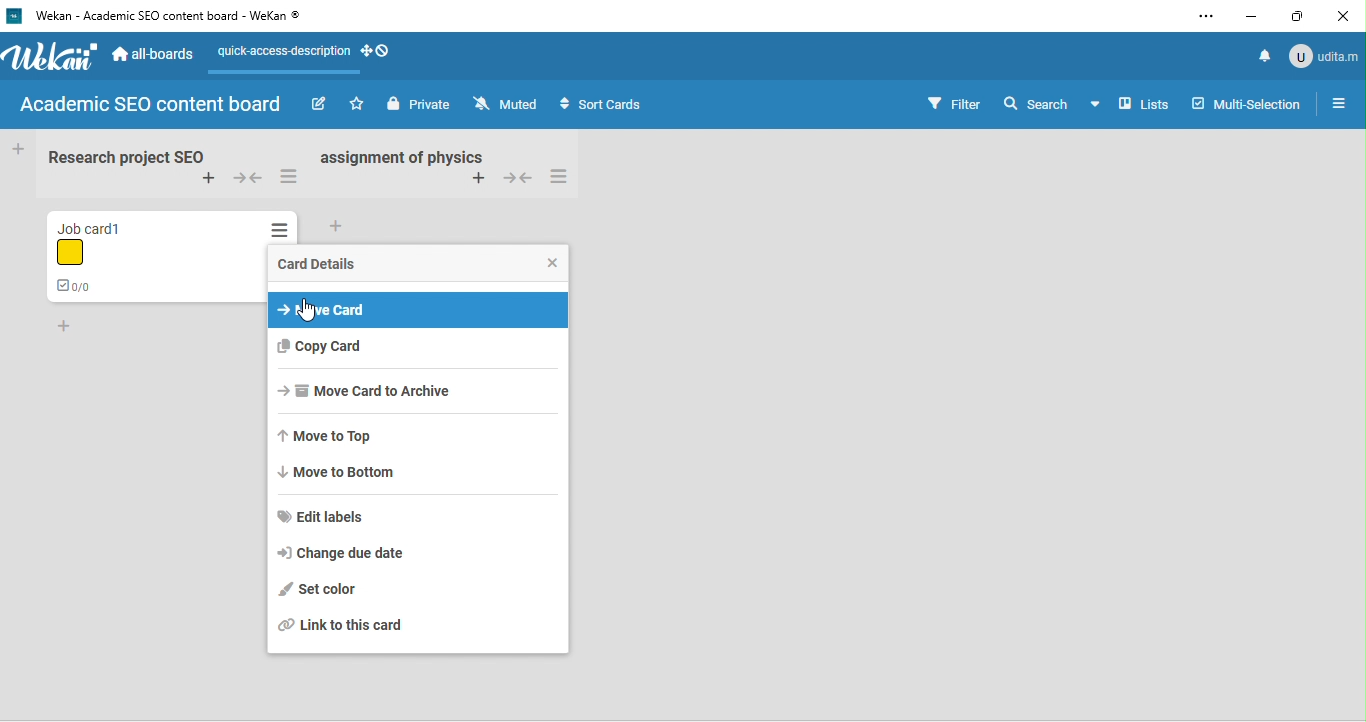  What do you see at coordinates (123, 157) in the screenshot?
I see `Research project SEO` at bounding box center [123, 157].